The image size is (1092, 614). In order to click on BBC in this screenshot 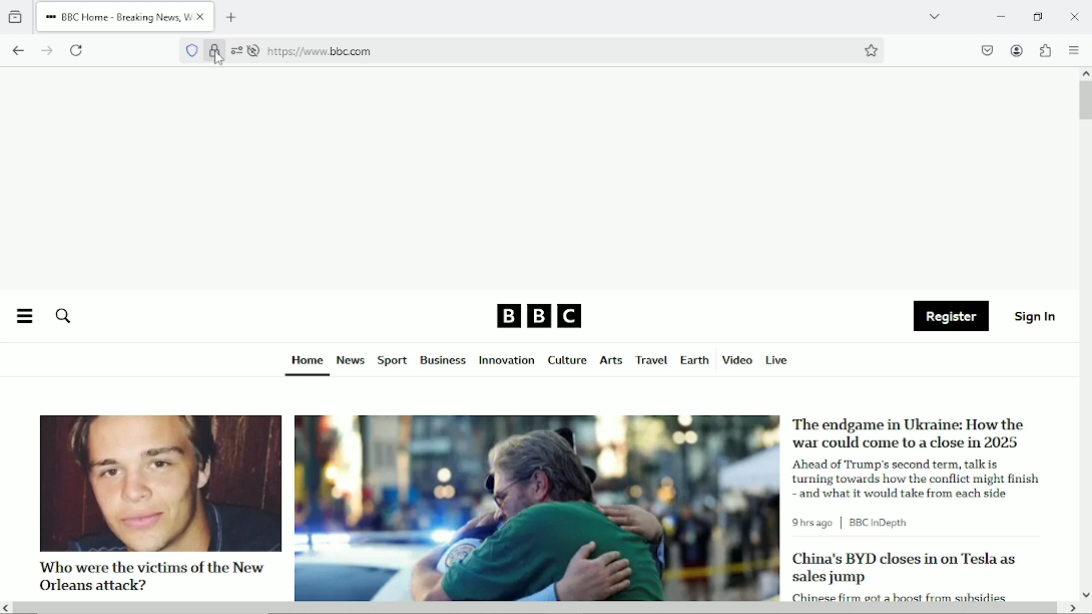, I will do `click(539, 315)`.